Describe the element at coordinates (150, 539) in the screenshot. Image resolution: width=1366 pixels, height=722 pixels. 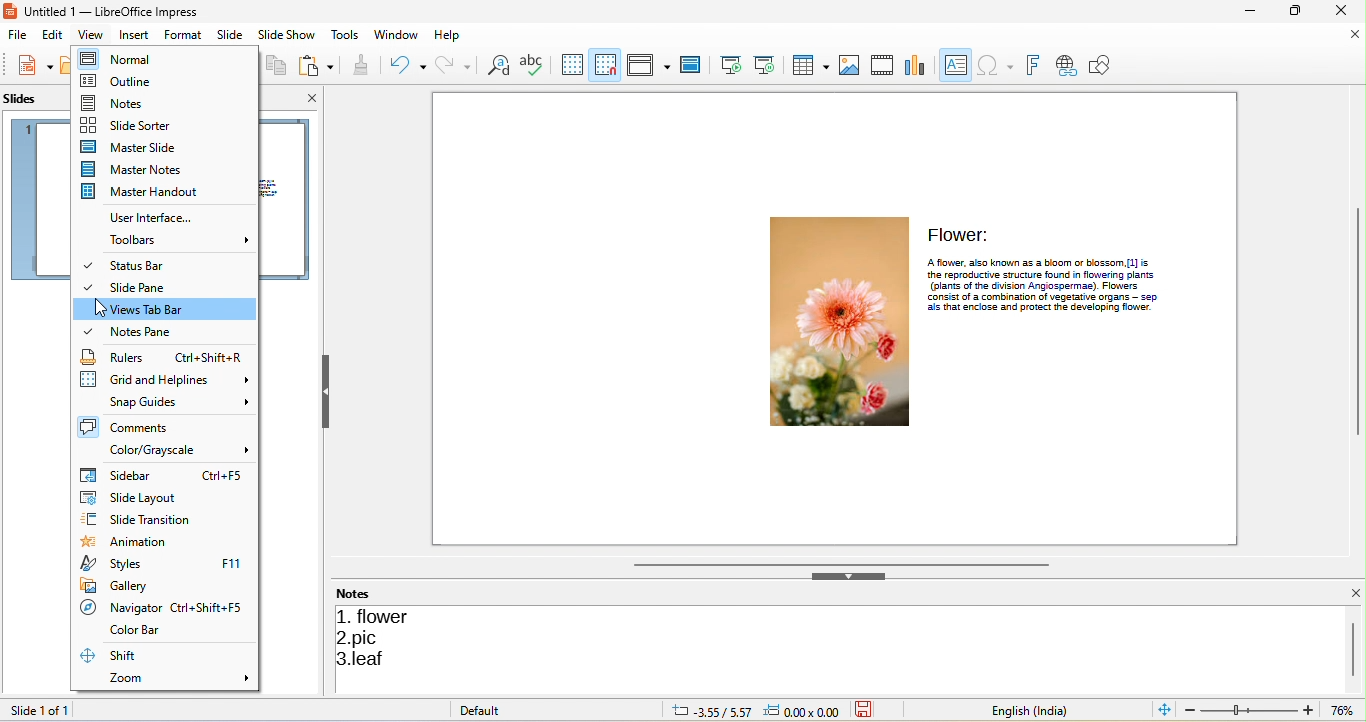
I see `animation` at that location.